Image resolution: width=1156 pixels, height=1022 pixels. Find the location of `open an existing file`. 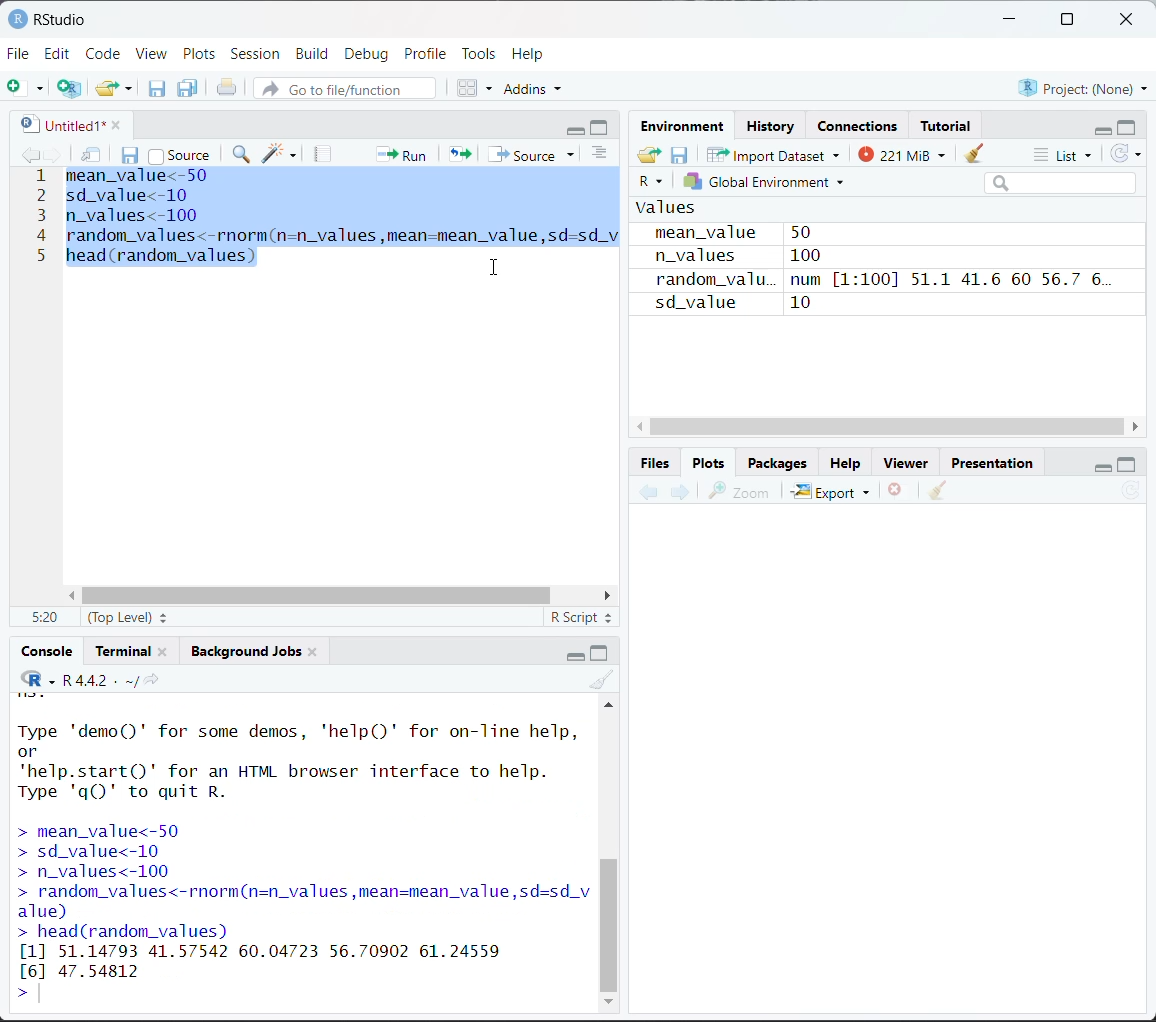

open an existing file is located at coordinates (107, 85).